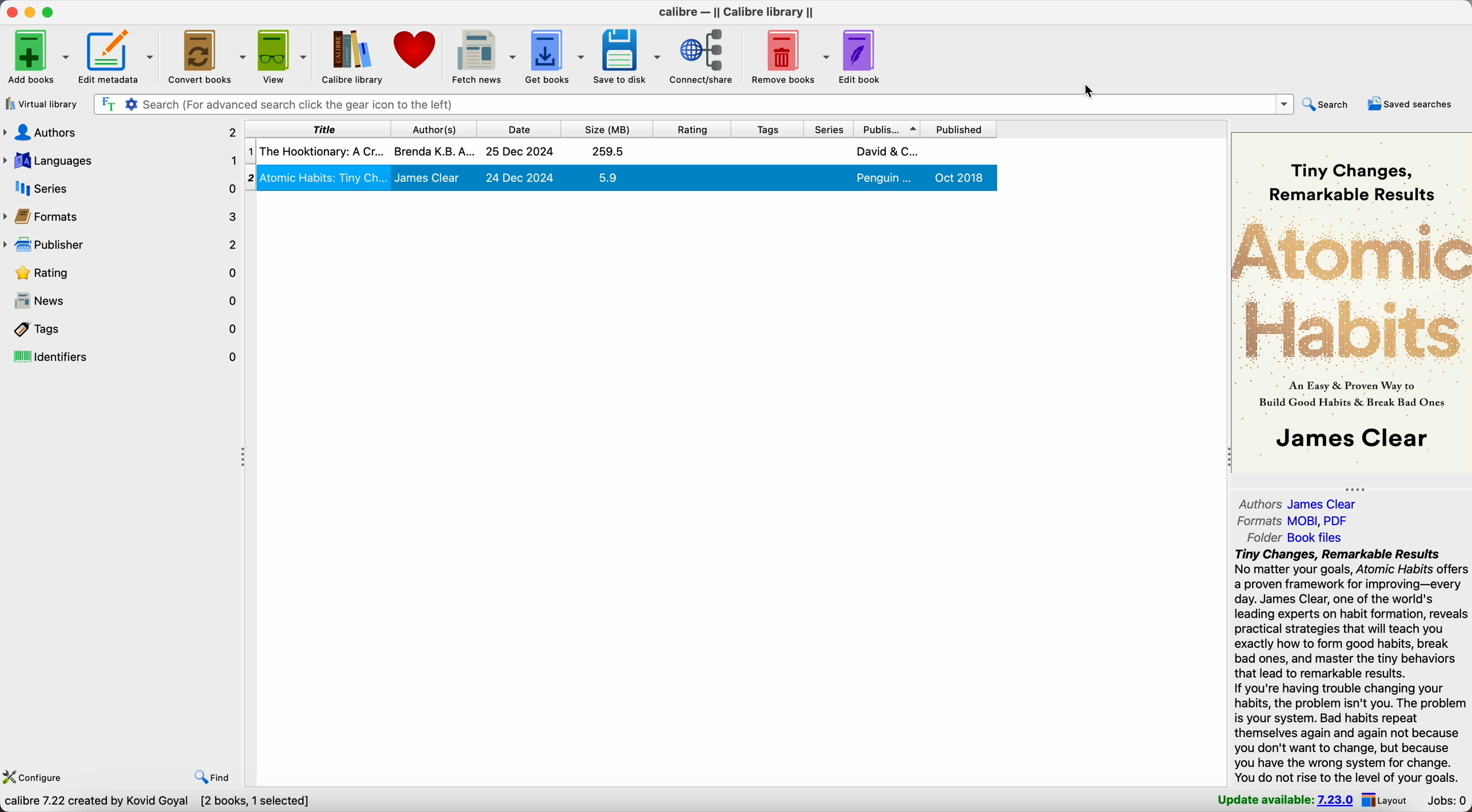 This screenshot has width=1472, height=812. Describe the element at coordinates (51, 11) in the screenshot. I see `maximize Calibre` at that location.